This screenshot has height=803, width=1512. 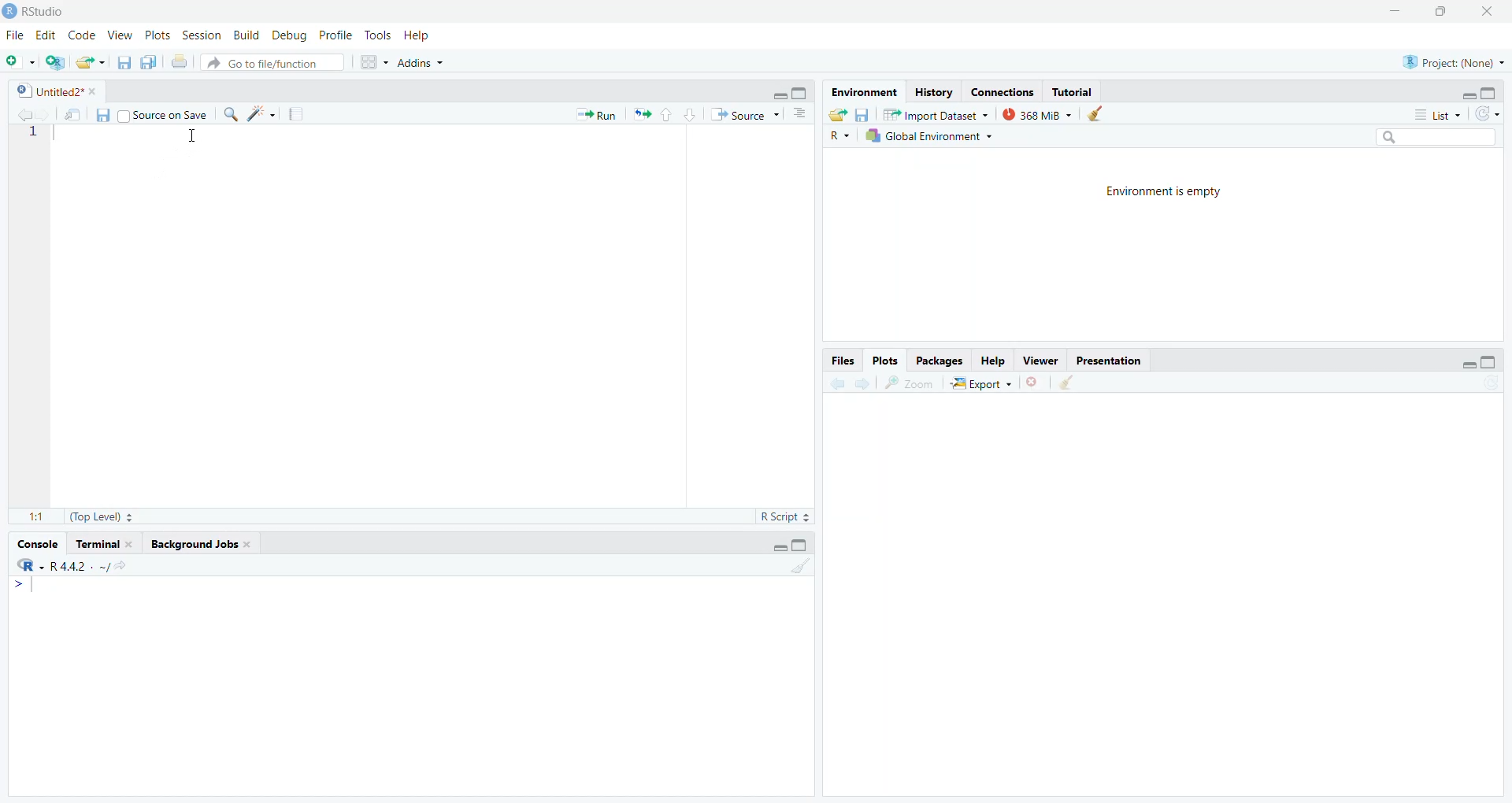 I want to click on maximise, so click(x=802, y=546).